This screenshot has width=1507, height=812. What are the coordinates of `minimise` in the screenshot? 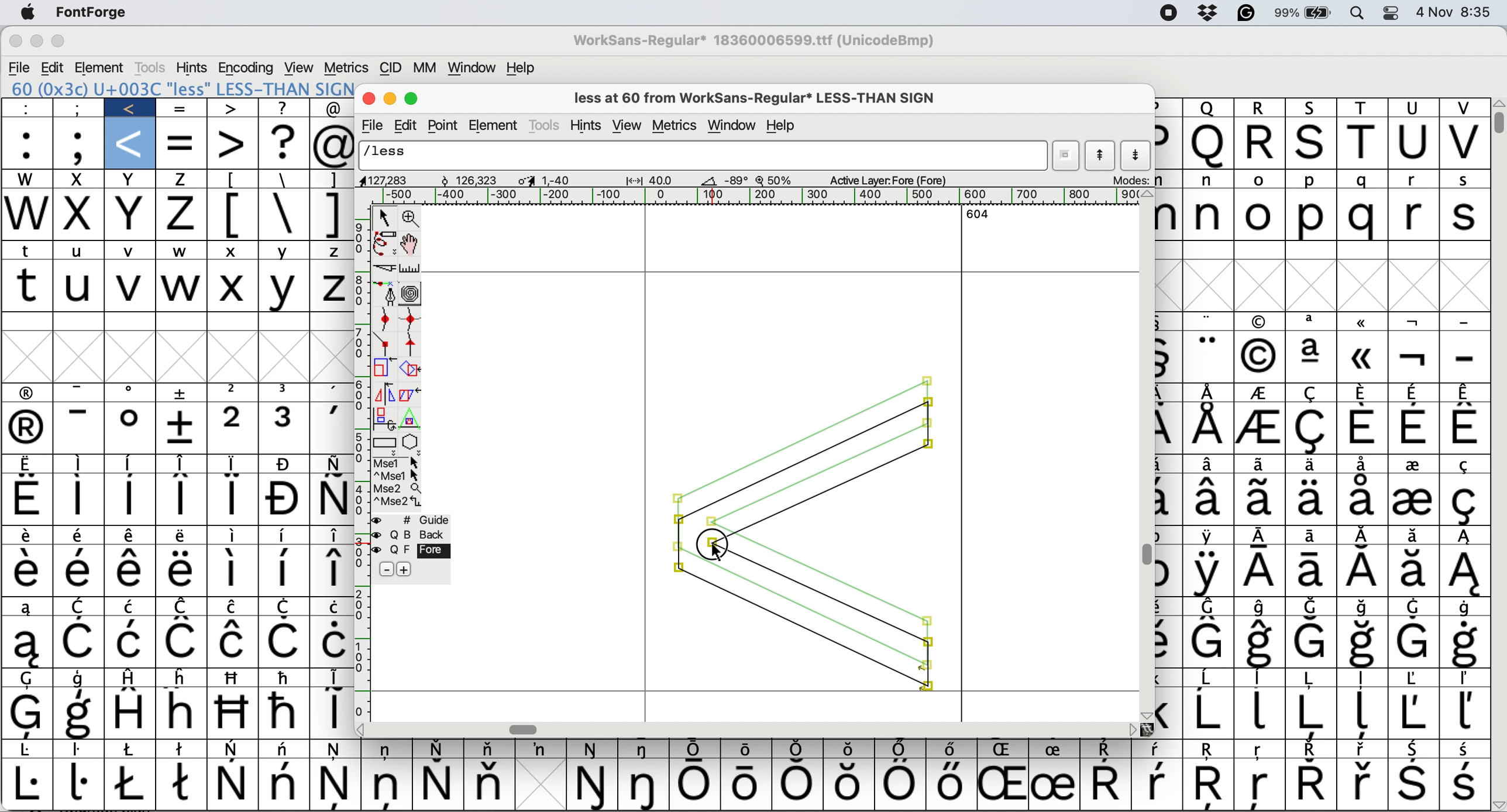 It's located at (37, 42).